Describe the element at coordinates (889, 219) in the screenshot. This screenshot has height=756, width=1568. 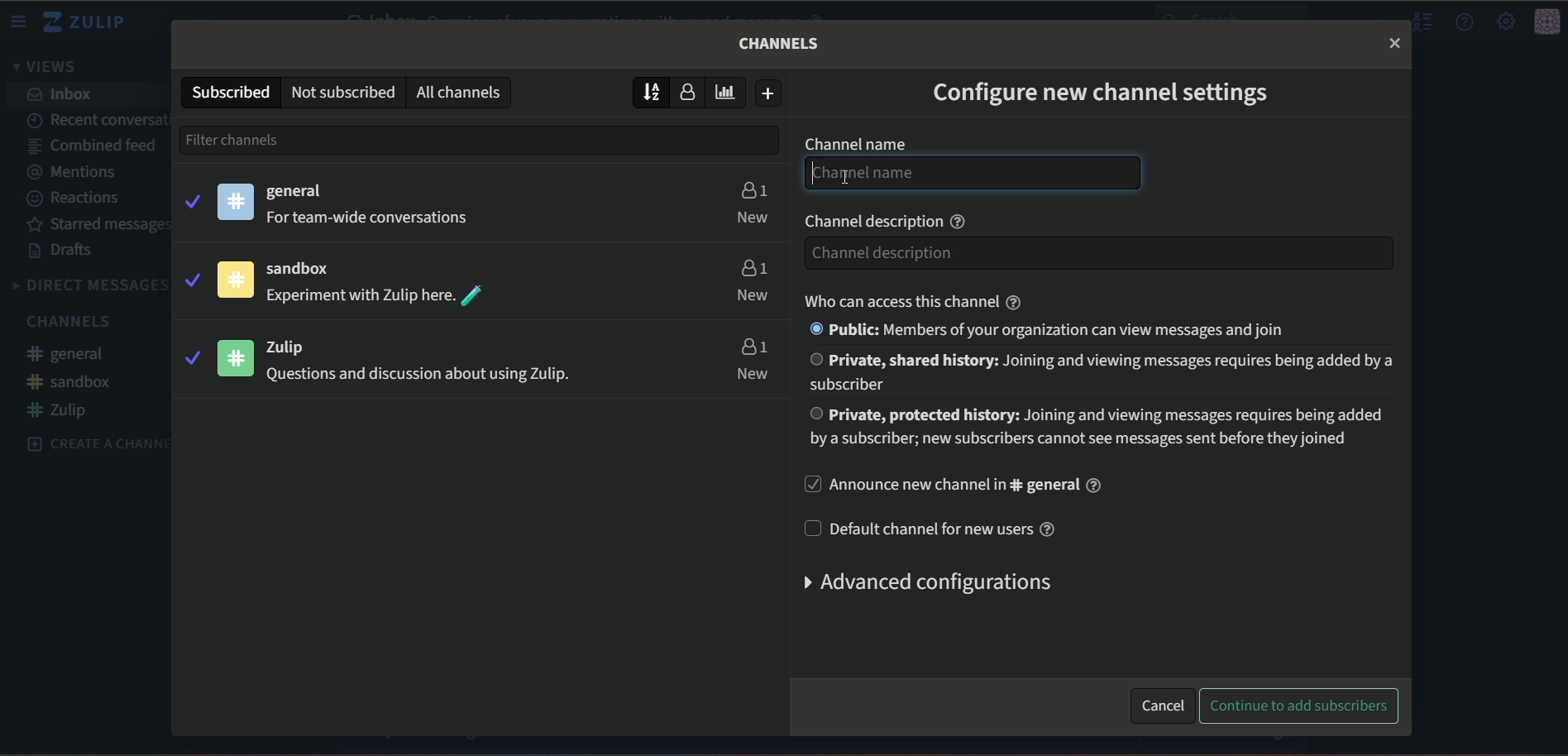
I see `channel description` at that location.